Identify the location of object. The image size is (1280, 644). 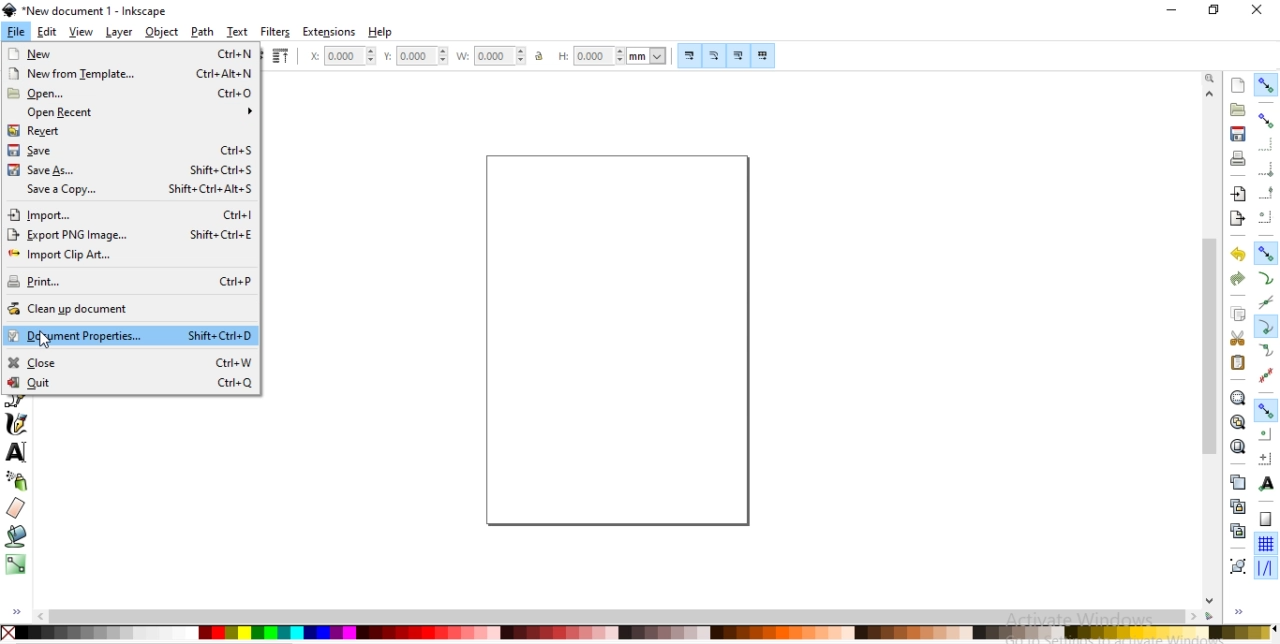
(162, 32).